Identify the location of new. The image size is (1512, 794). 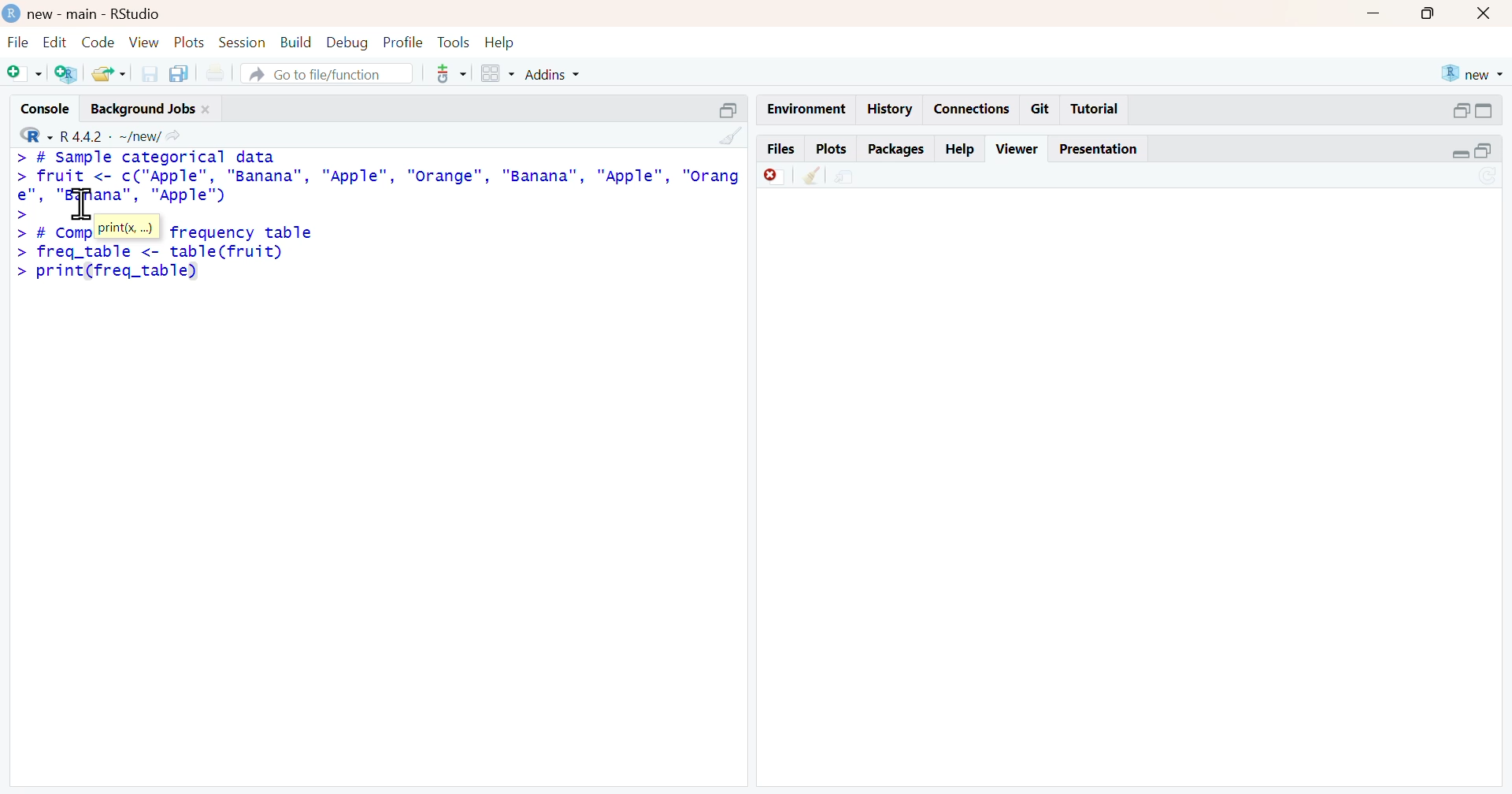
(1469, 74).